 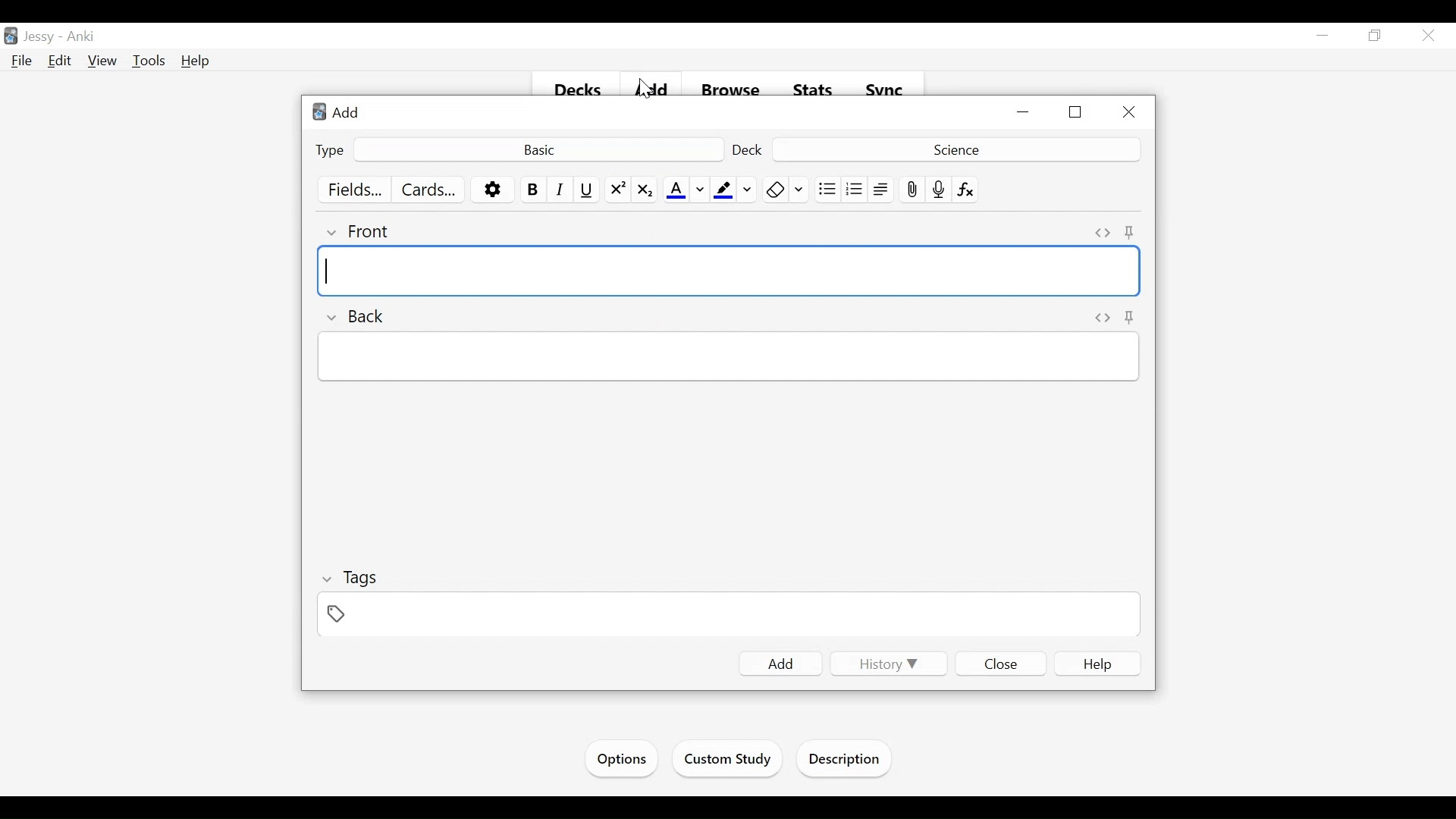 I want to click on Deck, so click(x=749, y=149).